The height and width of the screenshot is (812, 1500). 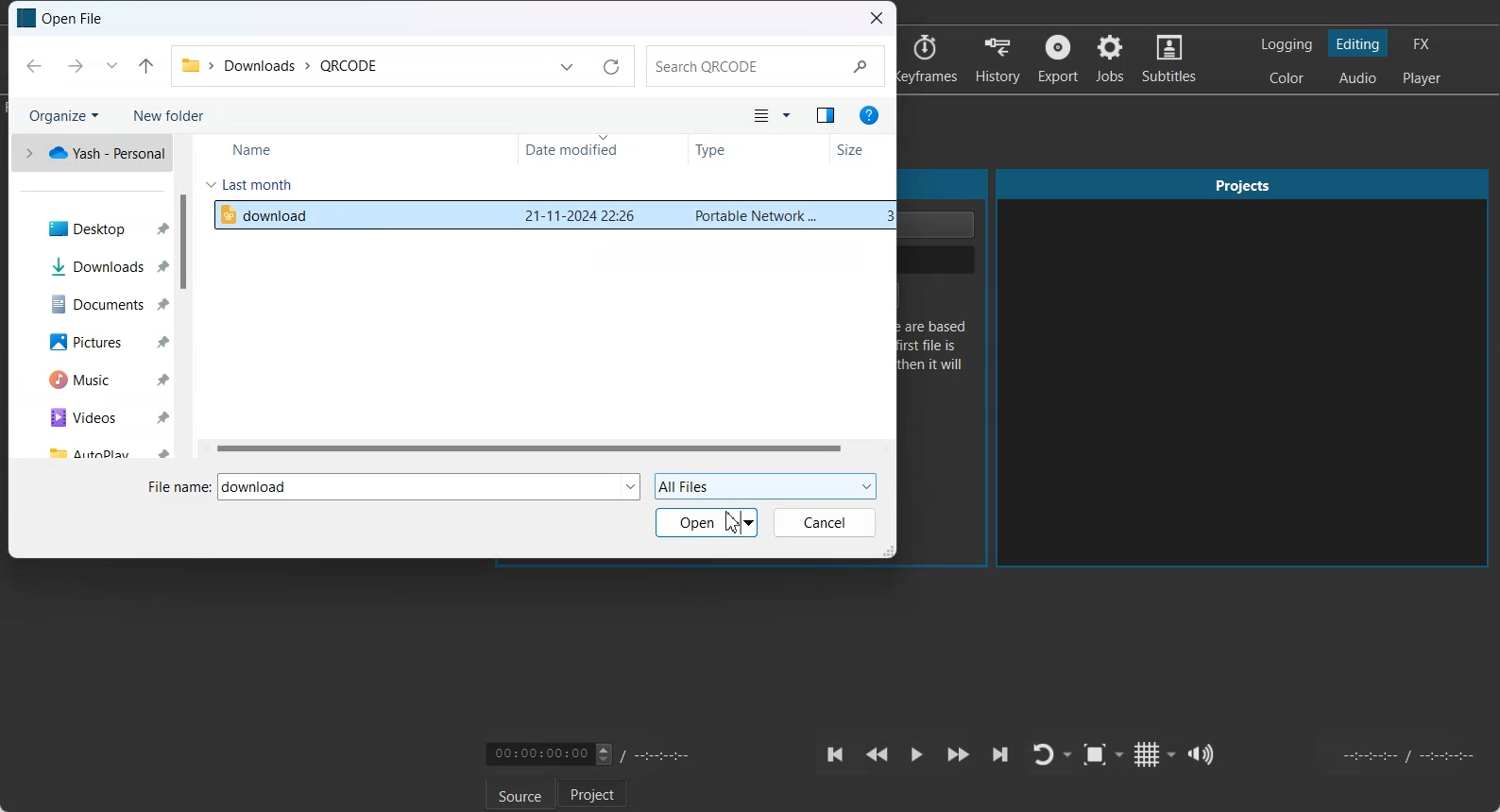 What do you see at coordinates (917, 754) in the screenshot?
I see `Toggle play` at bounding box center [917, 754].